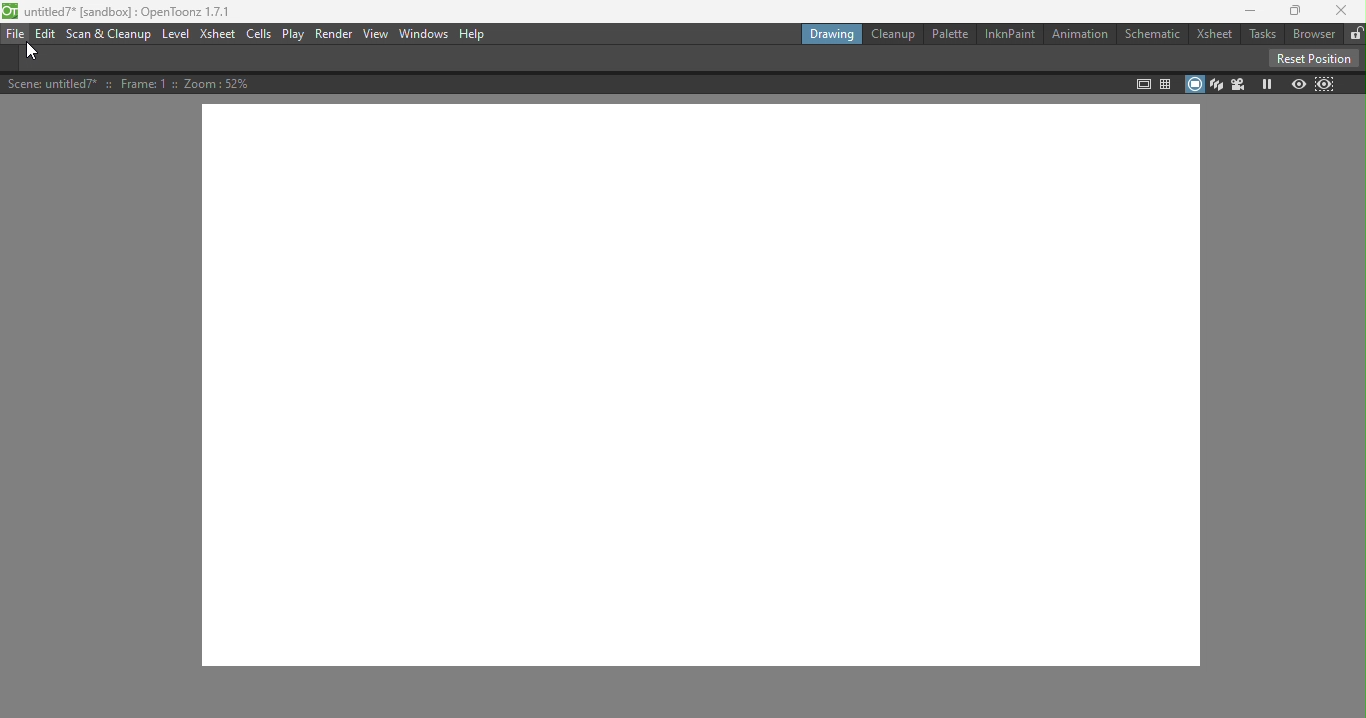 This screenshot has height=718, width=1366. What do you see at coordinates (1266, 85) in the screenshot?
I see `Freeze` at bounding box center [1266, 85].